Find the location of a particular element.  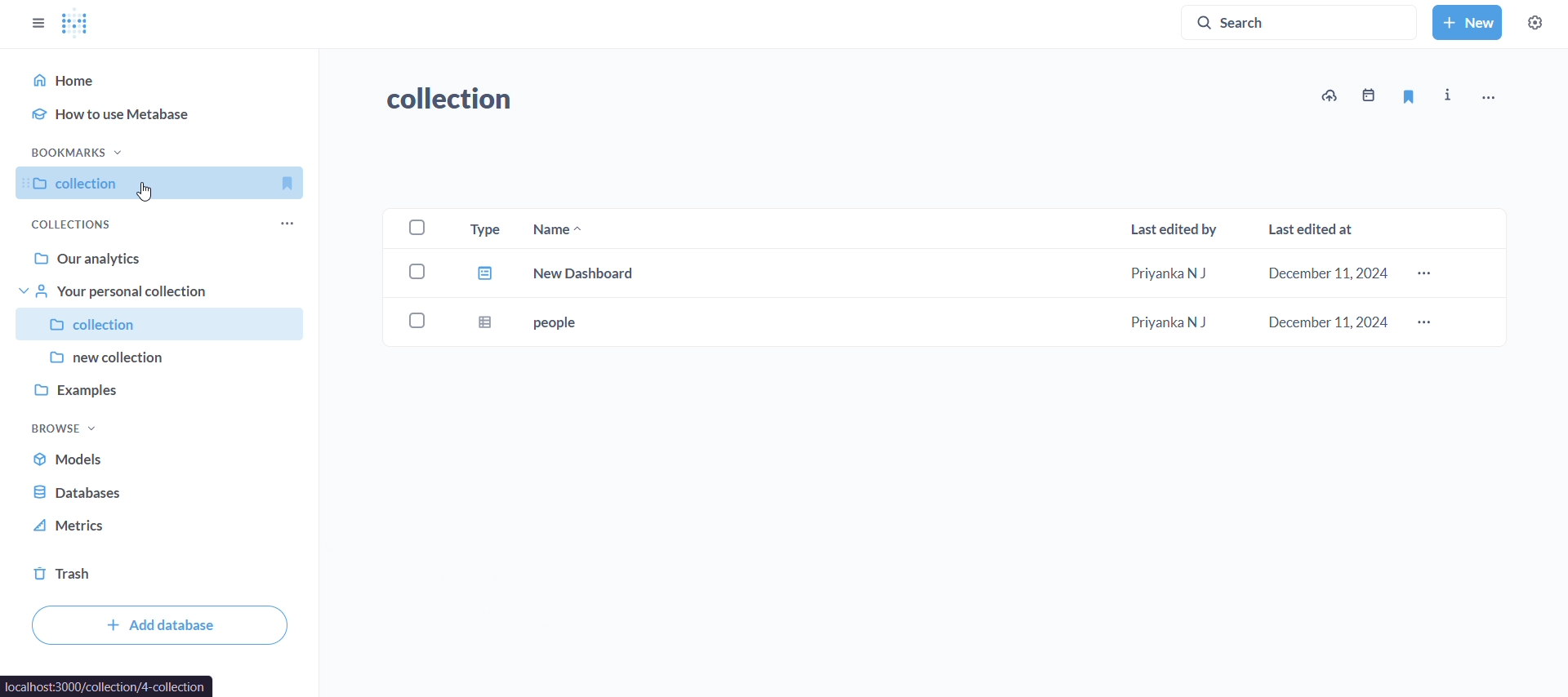

last edited by is located at coordinates (1169, 227).